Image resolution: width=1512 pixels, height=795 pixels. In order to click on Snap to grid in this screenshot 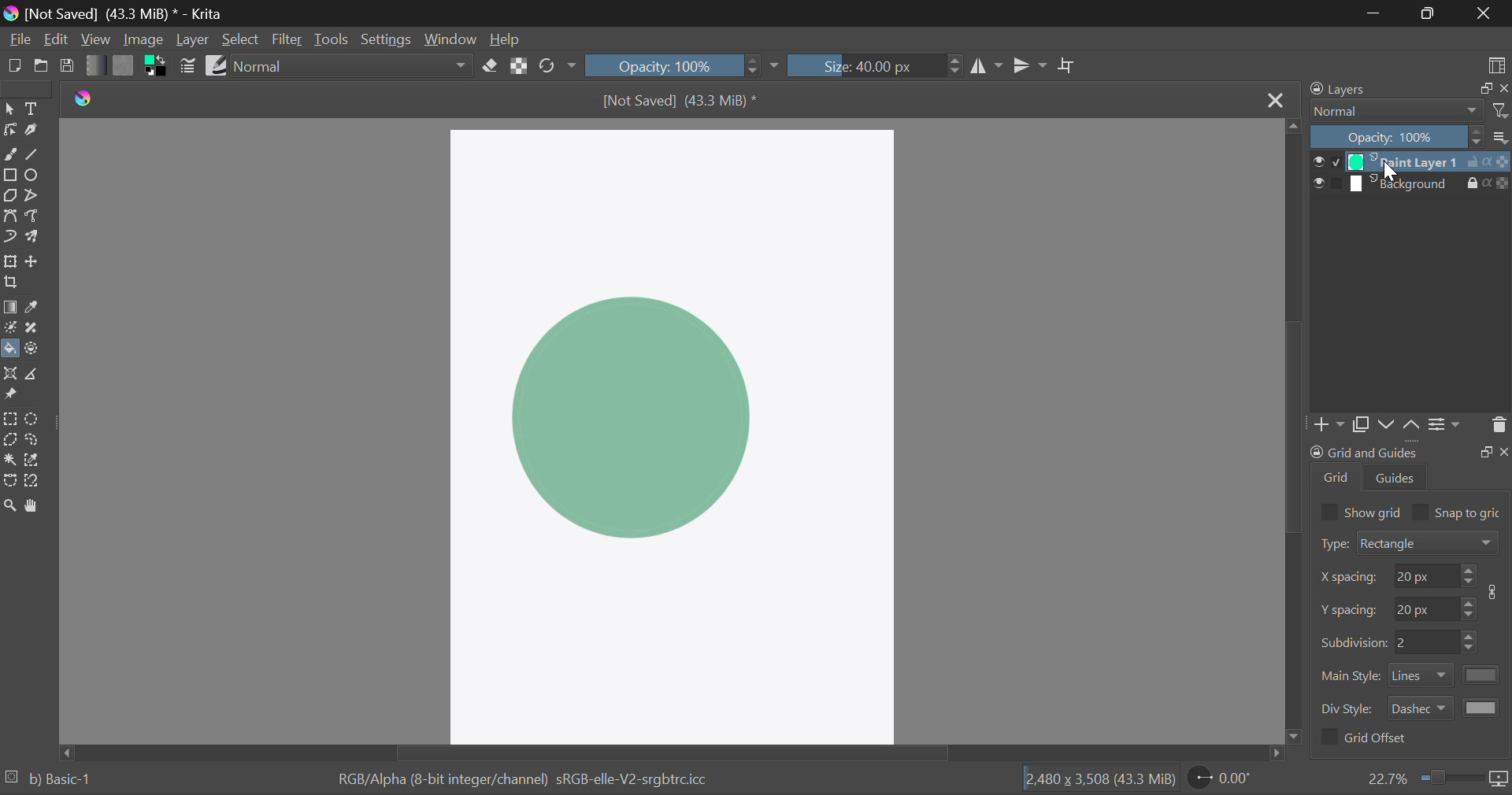, I will do `click(1460, 511)`.